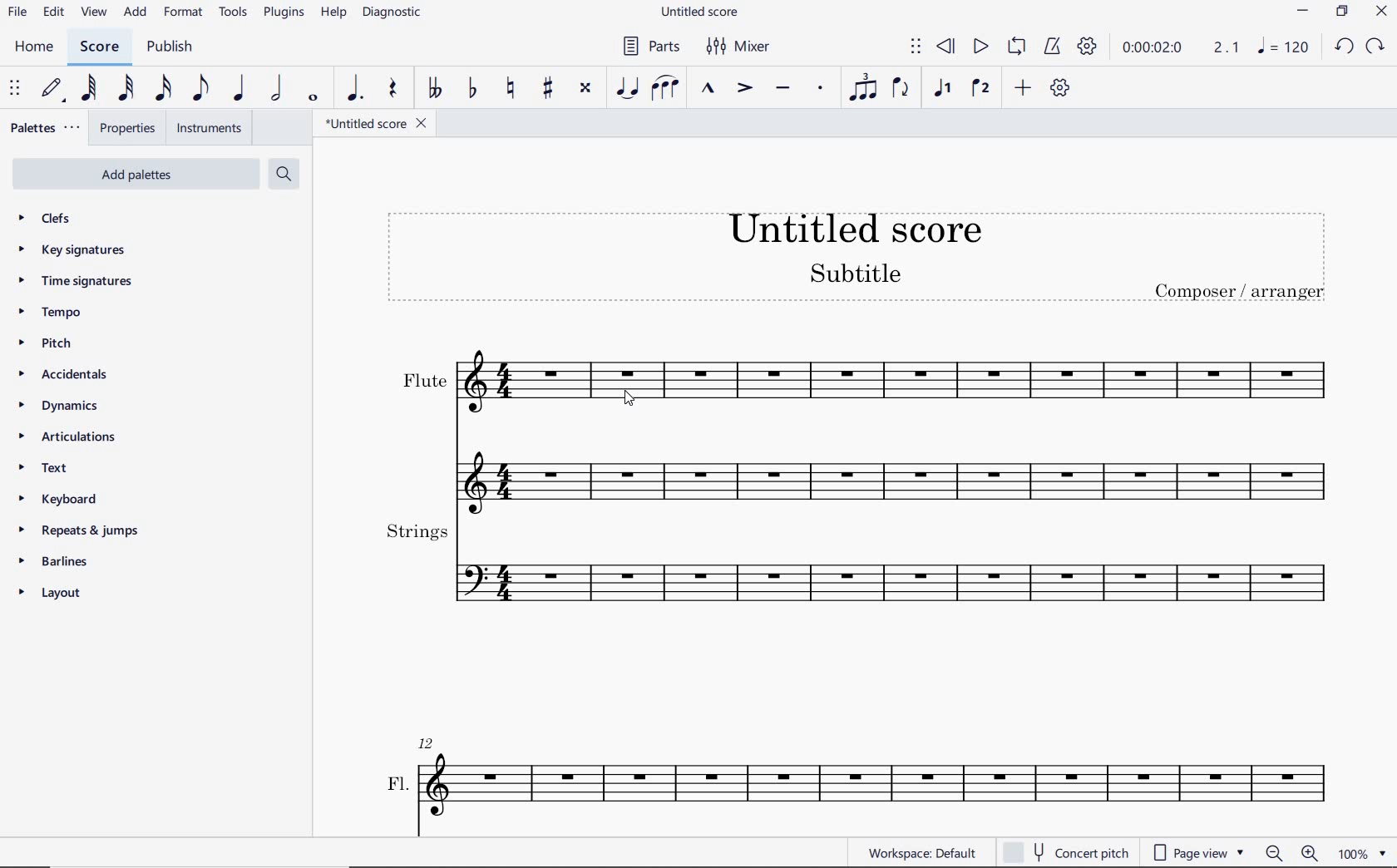  Describe the element at coordinates (375, 123) in the screenshot. I see `FILE NAME` at that location.